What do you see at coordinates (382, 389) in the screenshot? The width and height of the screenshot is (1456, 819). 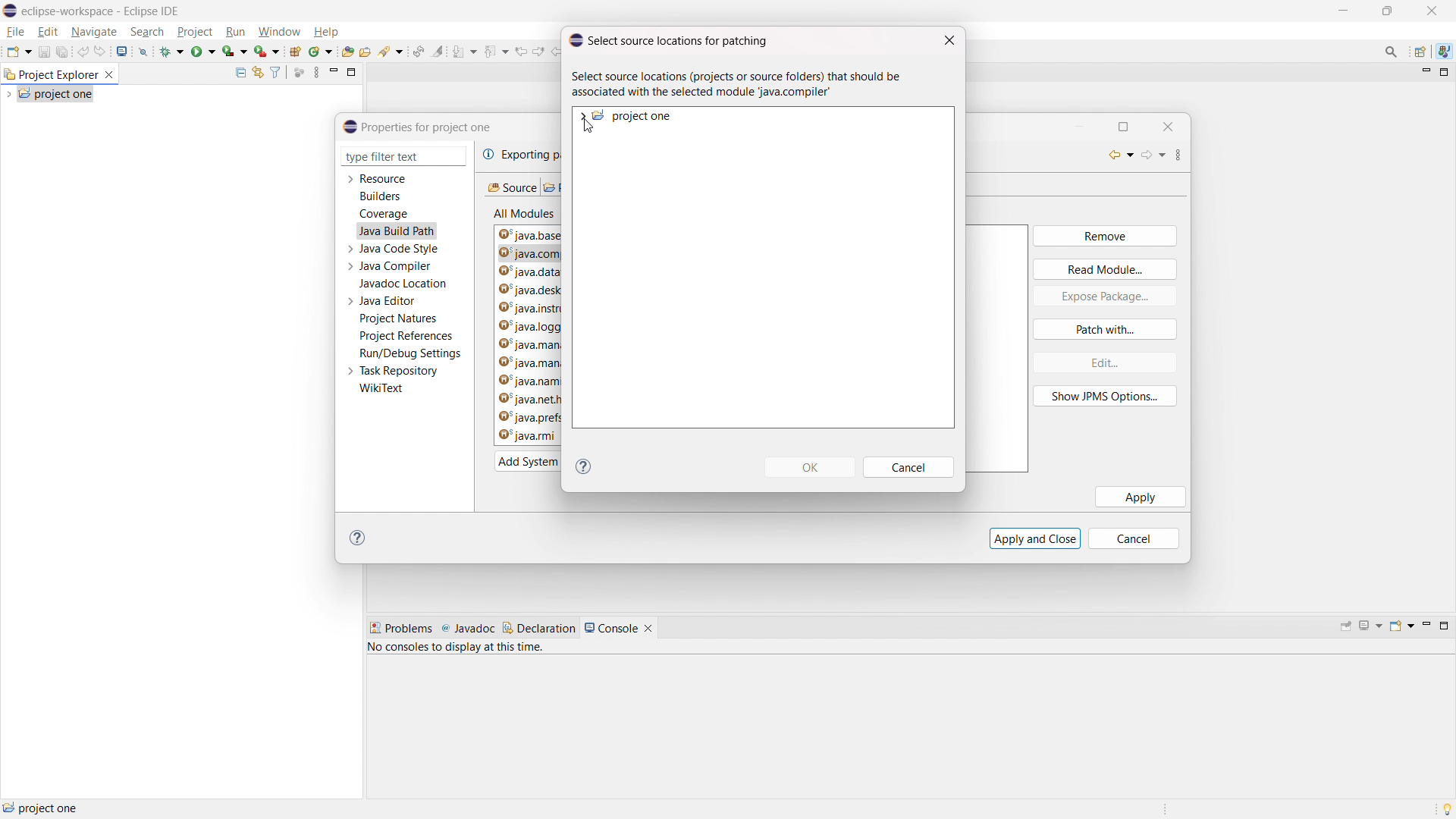 I see `wikitext` at bounding box center [382, 389].